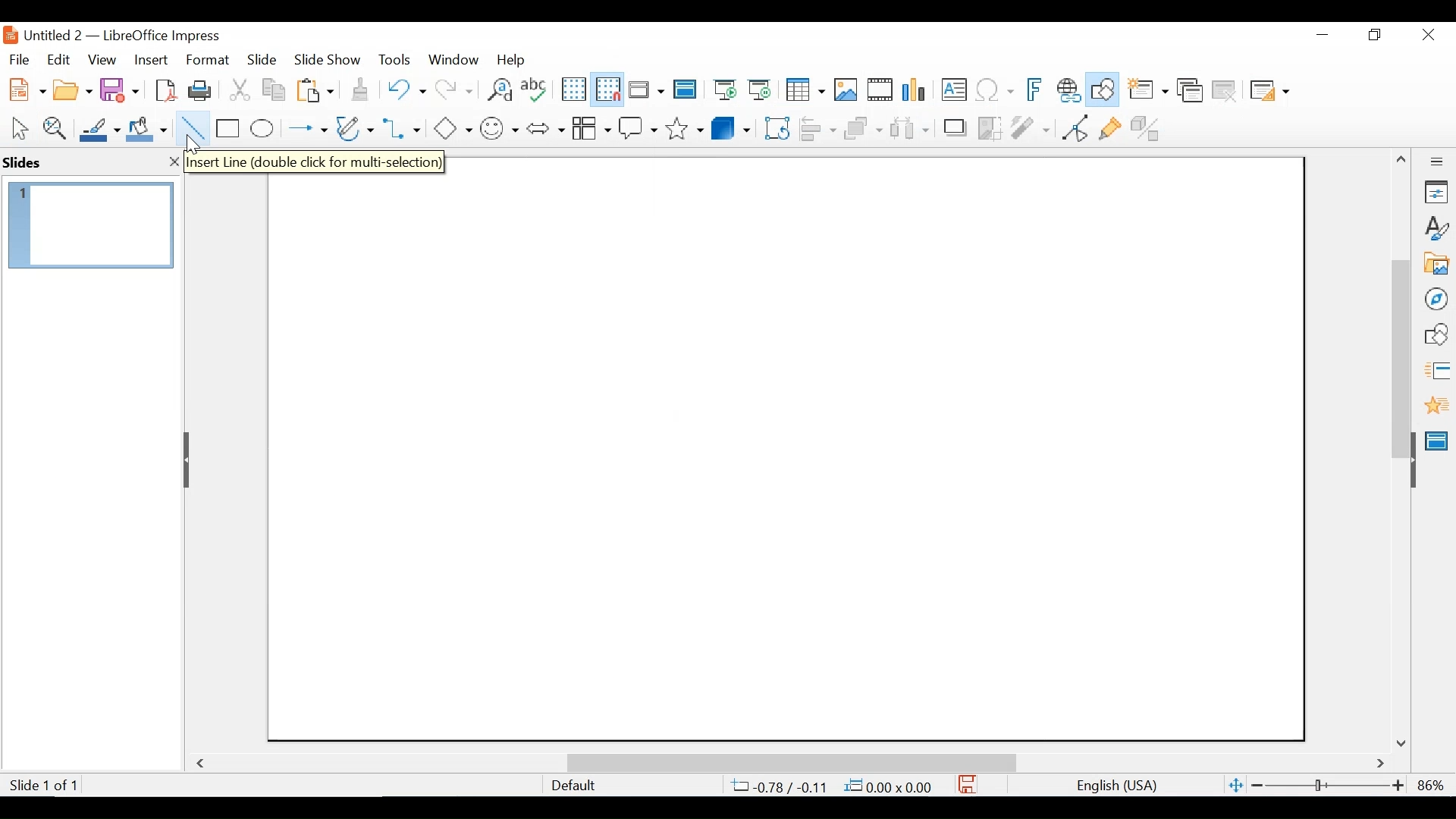 The image size is (1456, 819). What do you see at coordinates (197, 144) in the screenshot?
I see `cursor` at bounding box center [197, 144].